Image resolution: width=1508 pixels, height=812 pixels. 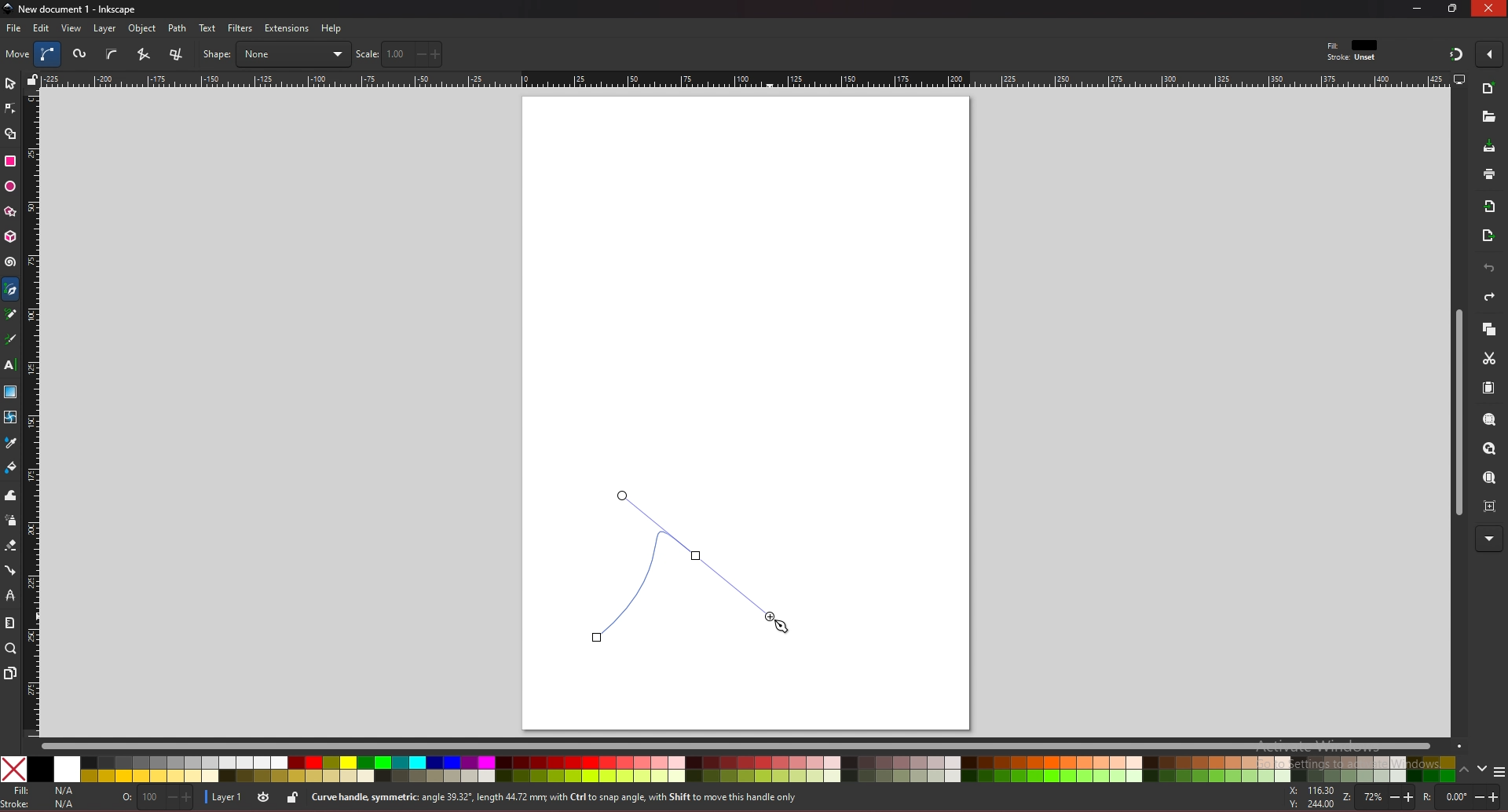 I want to click on new, so click(x=1488, y=117).